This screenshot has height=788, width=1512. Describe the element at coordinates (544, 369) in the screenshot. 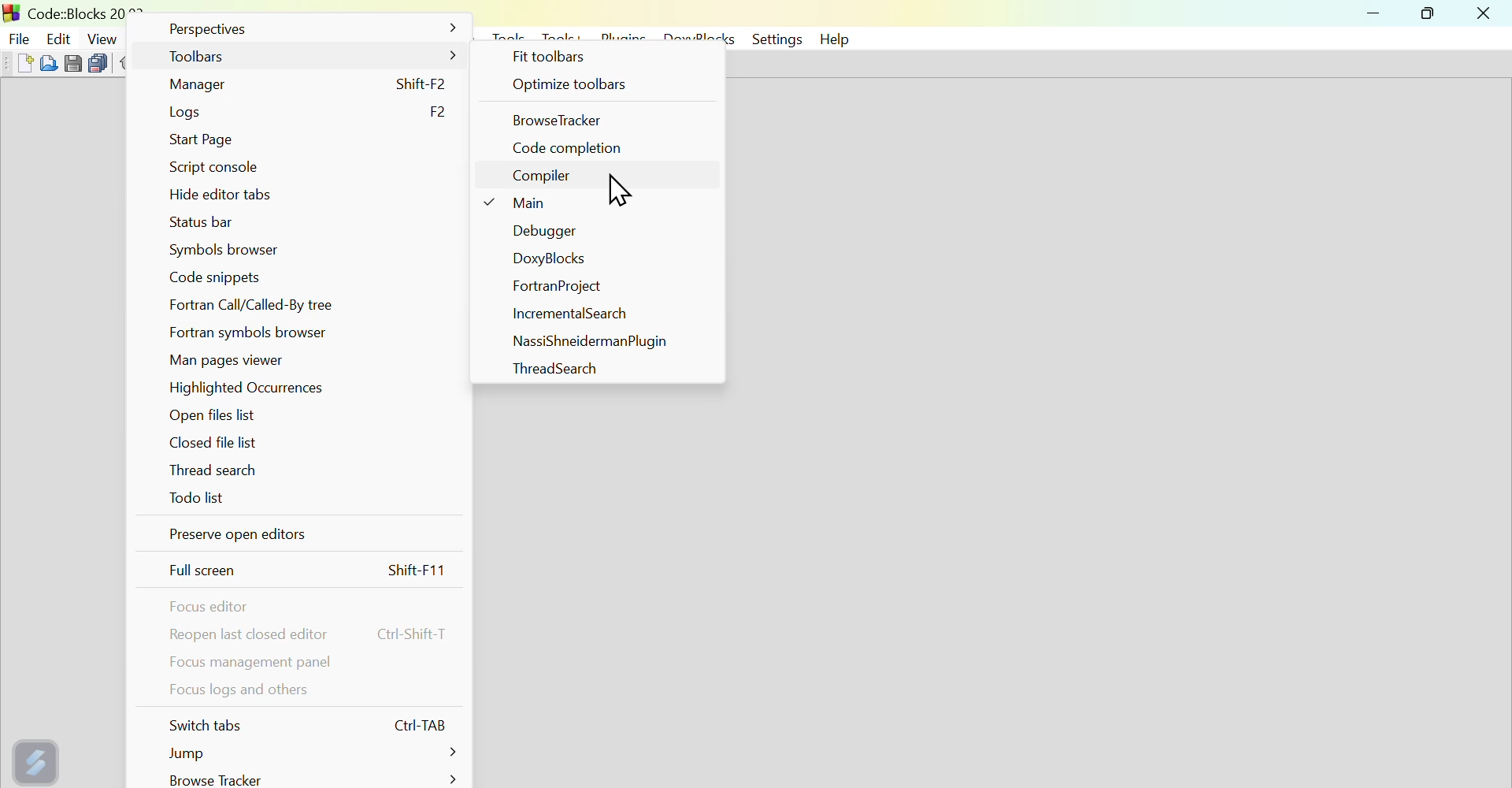

I see `Thread search` at that location.